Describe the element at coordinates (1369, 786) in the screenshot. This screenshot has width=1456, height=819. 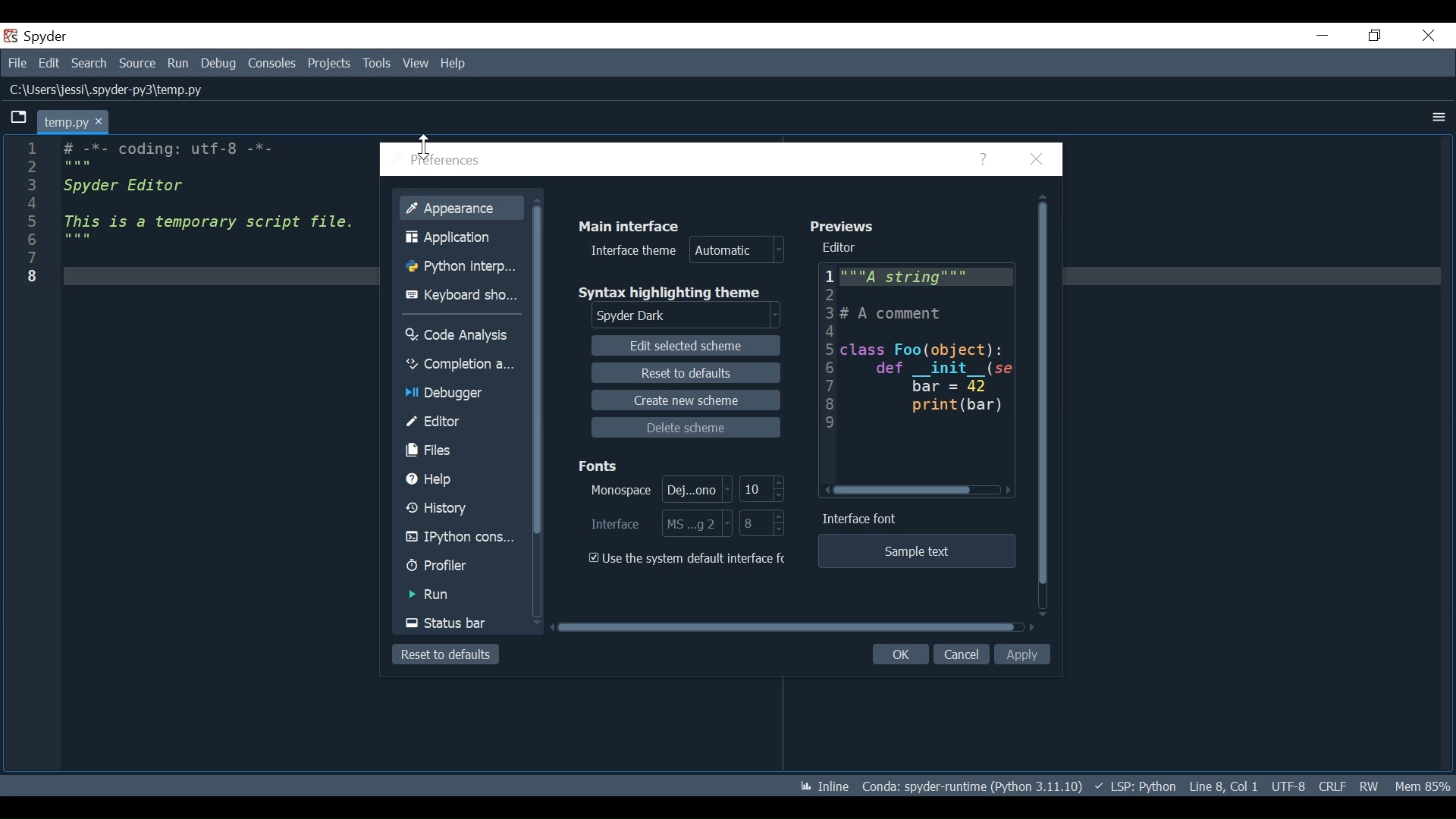
I see `File Permission` at that location.